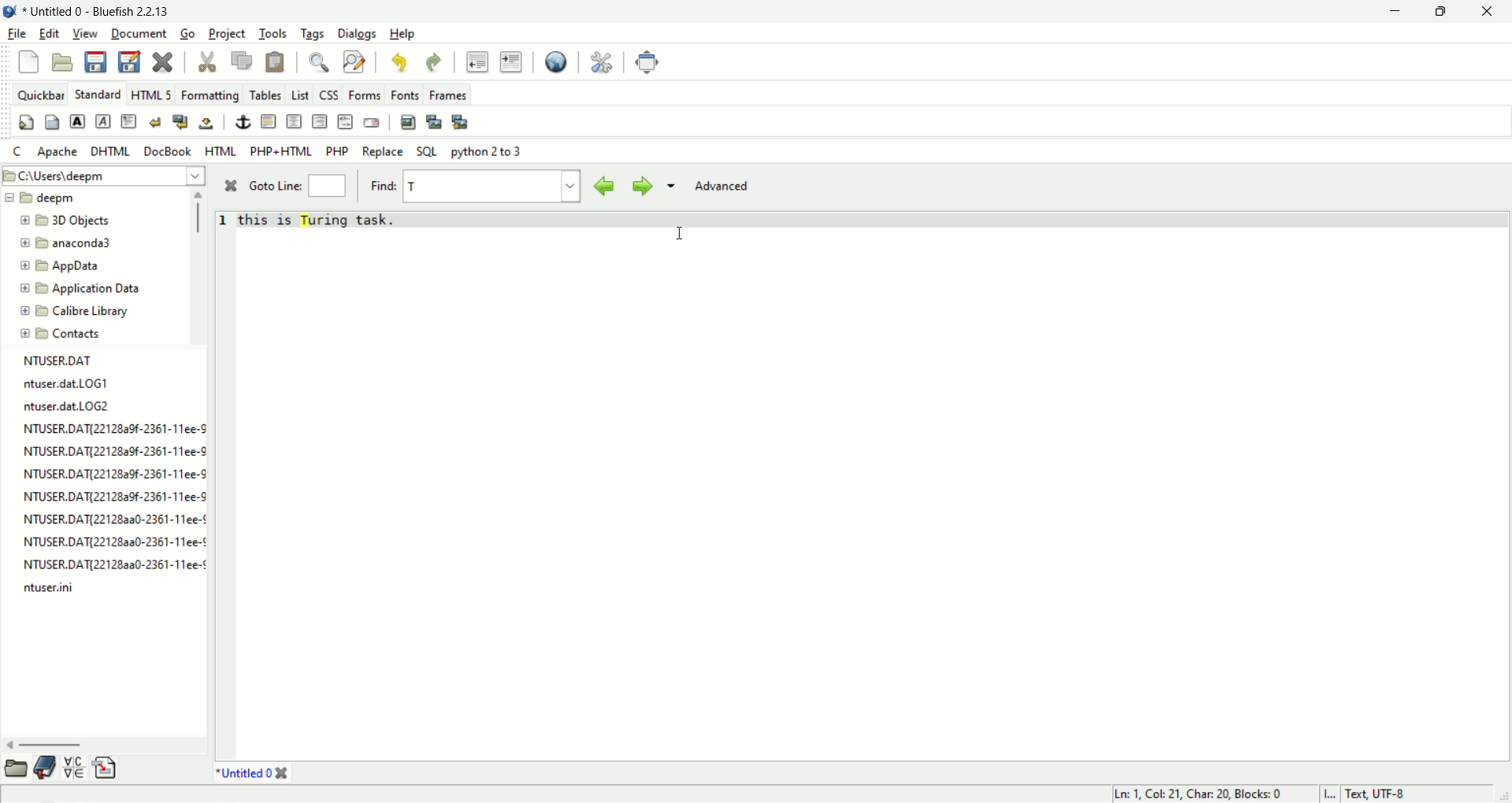 Image resolution: width=1512 pixels, height=803 pixels. What do you see at coordinates (46, 34) in the screenshot?
I see `edit` at bounding box center [46, 34].